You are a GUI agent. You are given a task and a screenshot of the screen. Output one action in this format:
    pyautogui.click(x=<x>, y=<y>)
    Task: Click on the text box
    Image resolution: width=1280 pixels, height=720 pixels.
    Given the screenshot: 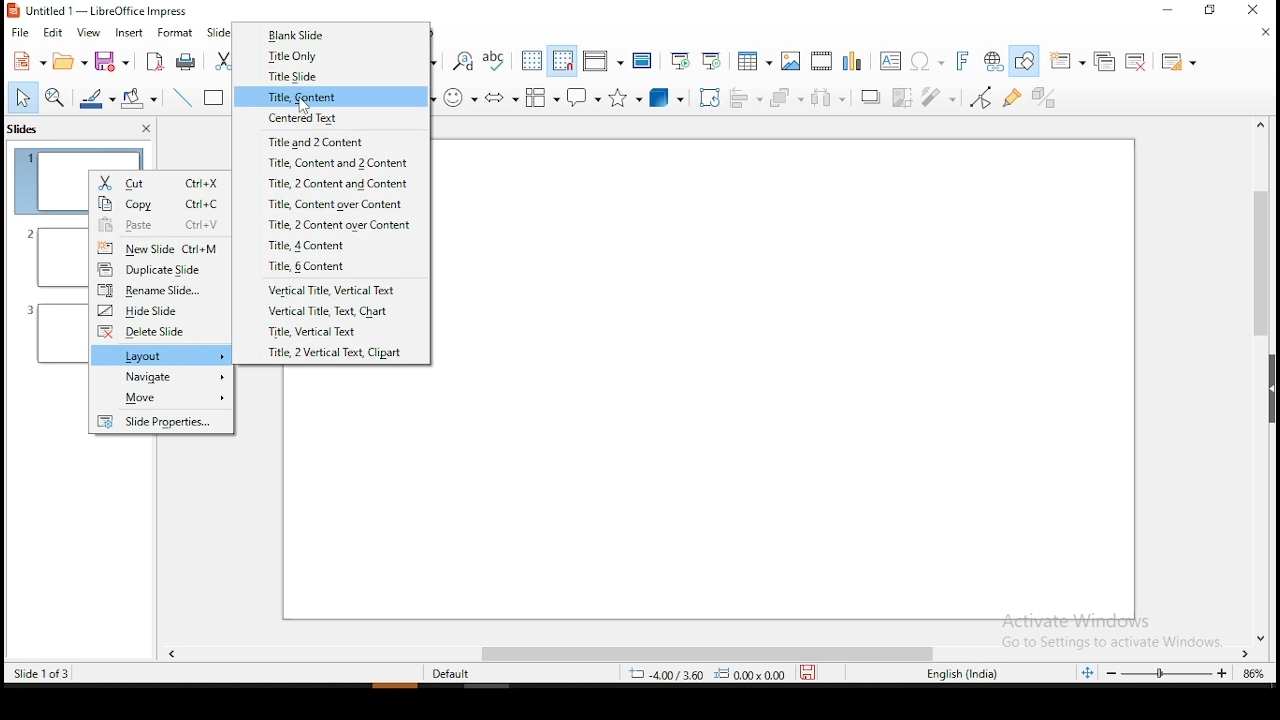 What is the action you would take?
    pyautogui.click(x=891, y=60)
    